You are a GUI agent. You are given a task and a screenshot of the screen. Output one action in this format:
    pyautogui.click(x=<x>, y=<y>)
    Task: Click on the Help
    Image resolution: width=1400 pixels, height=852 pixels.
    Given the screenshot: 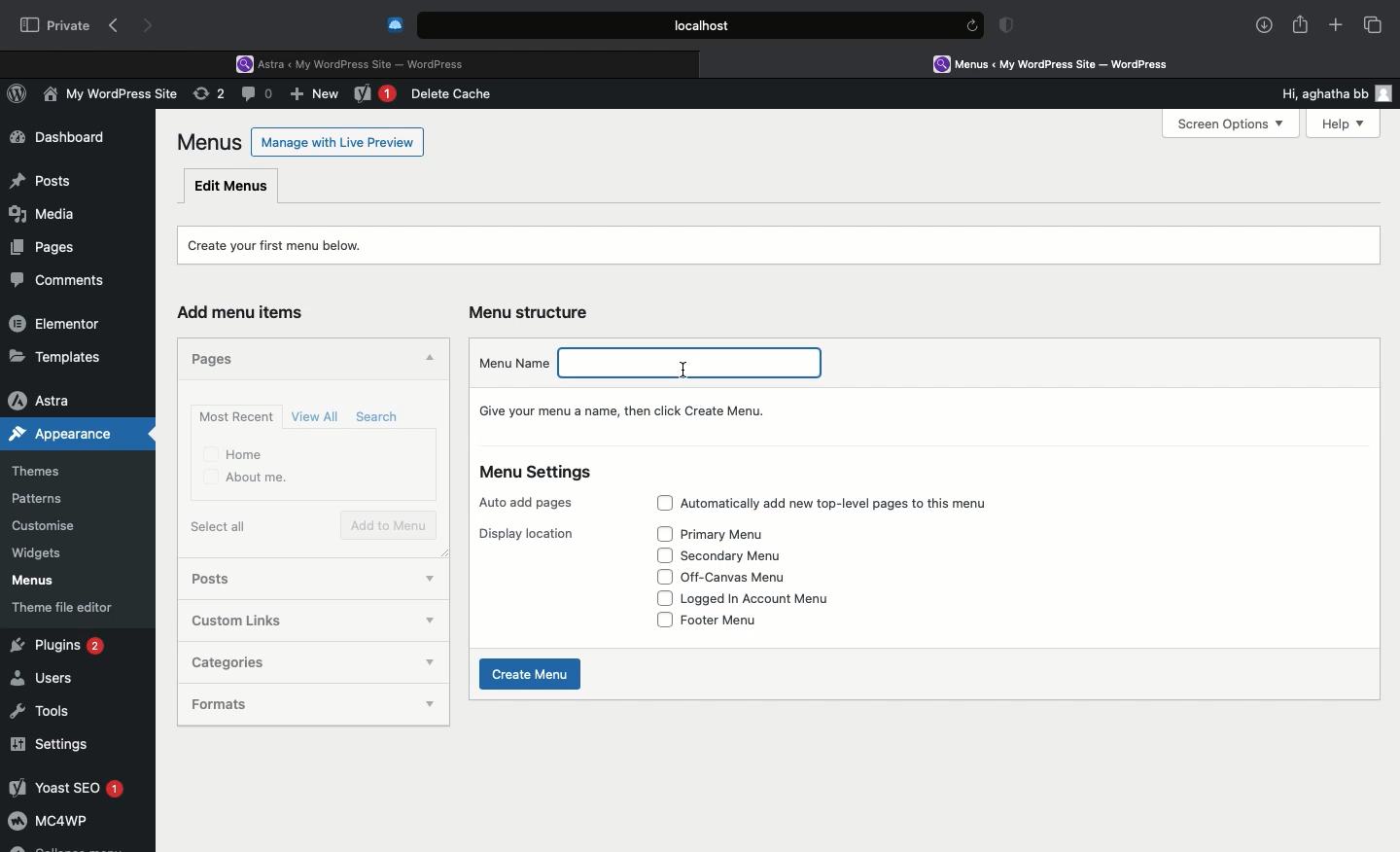 What is the action you would take?
    pyautogui.click(x=1335, y=124)
    